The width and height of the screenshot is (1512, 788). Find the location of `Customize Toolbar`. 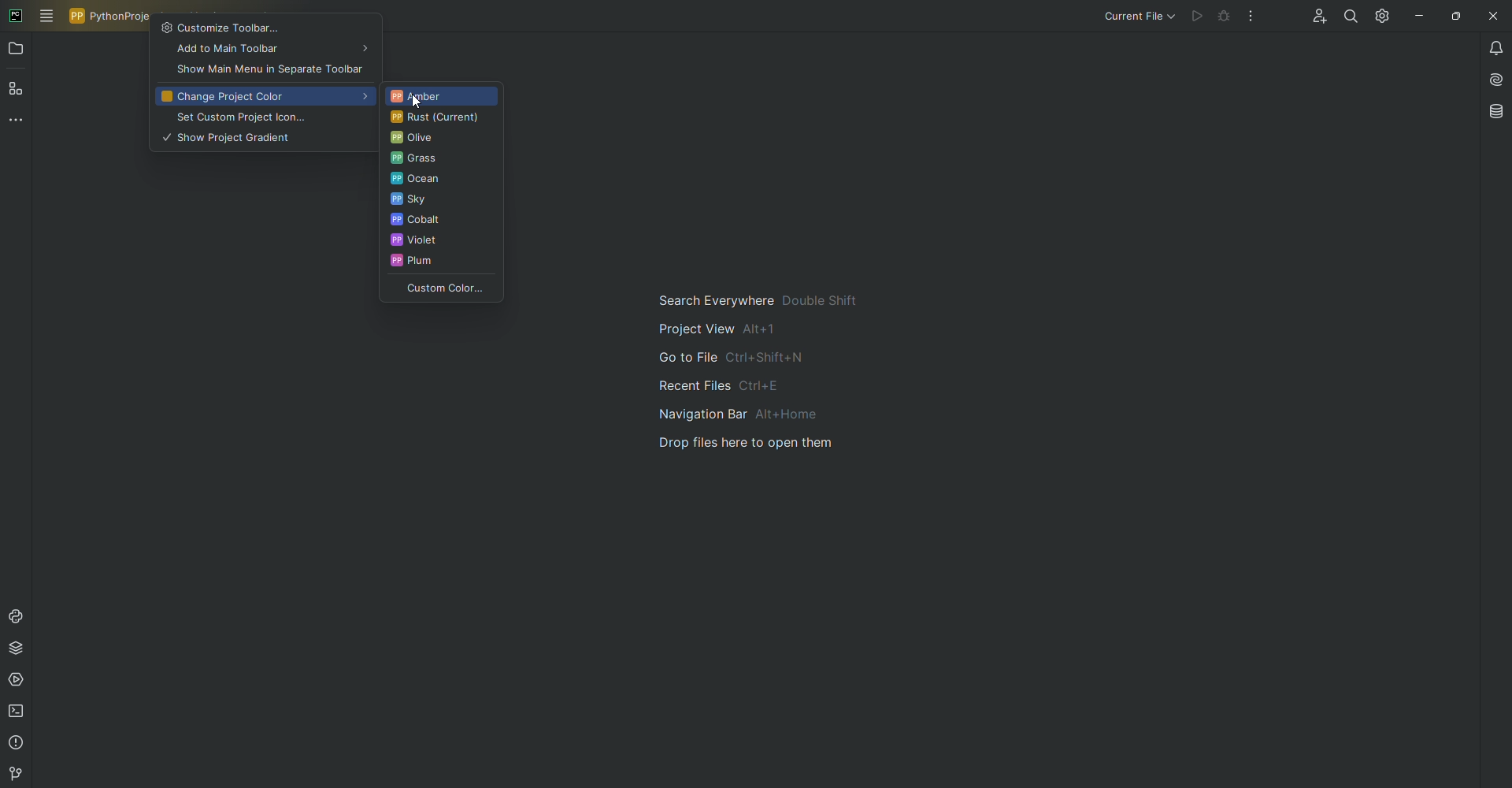

Customize Toolbar is located at coordinates (265, 27).